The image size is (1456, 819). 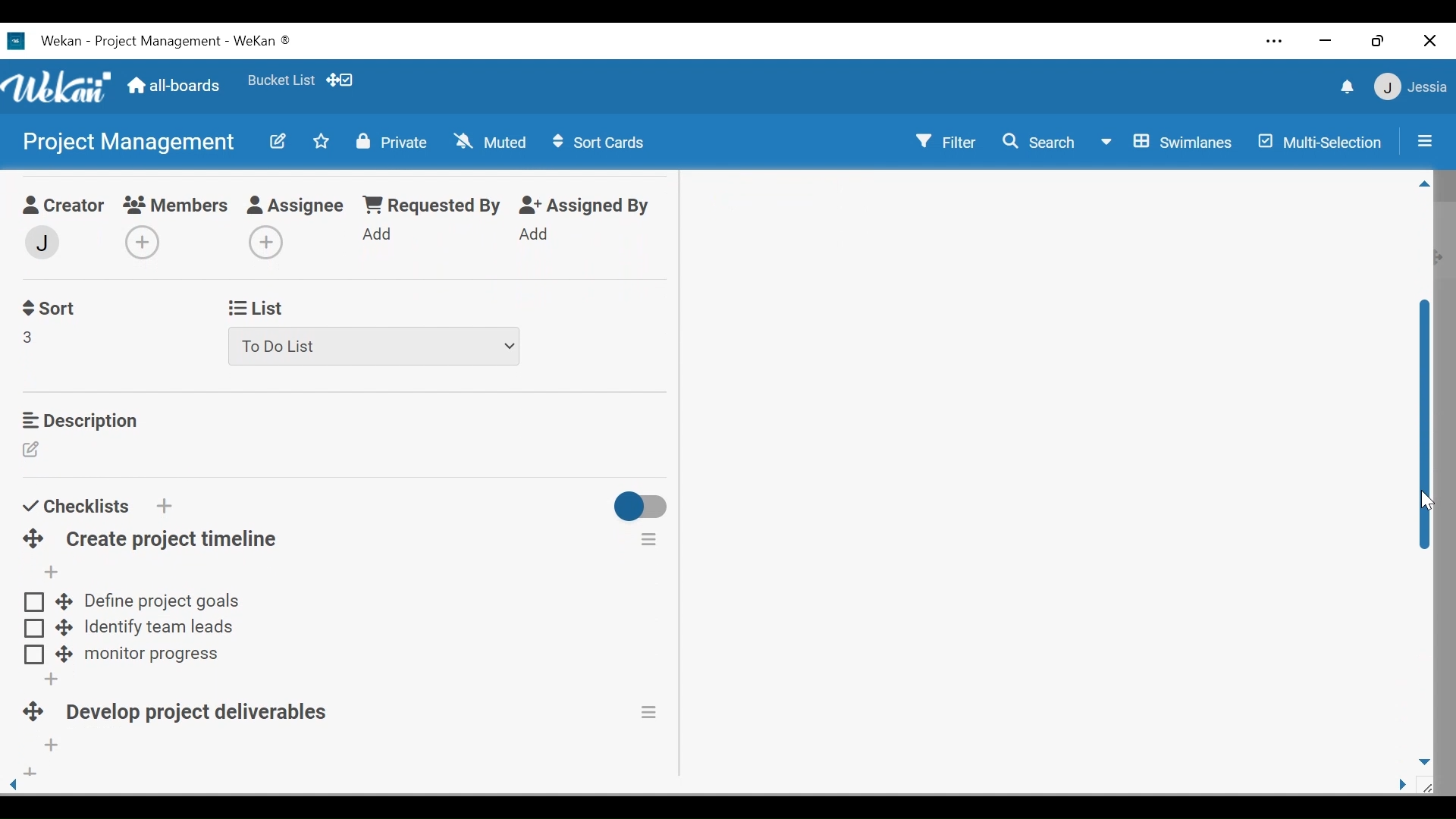 I want to click on Search, so click(x=1041, y=144).